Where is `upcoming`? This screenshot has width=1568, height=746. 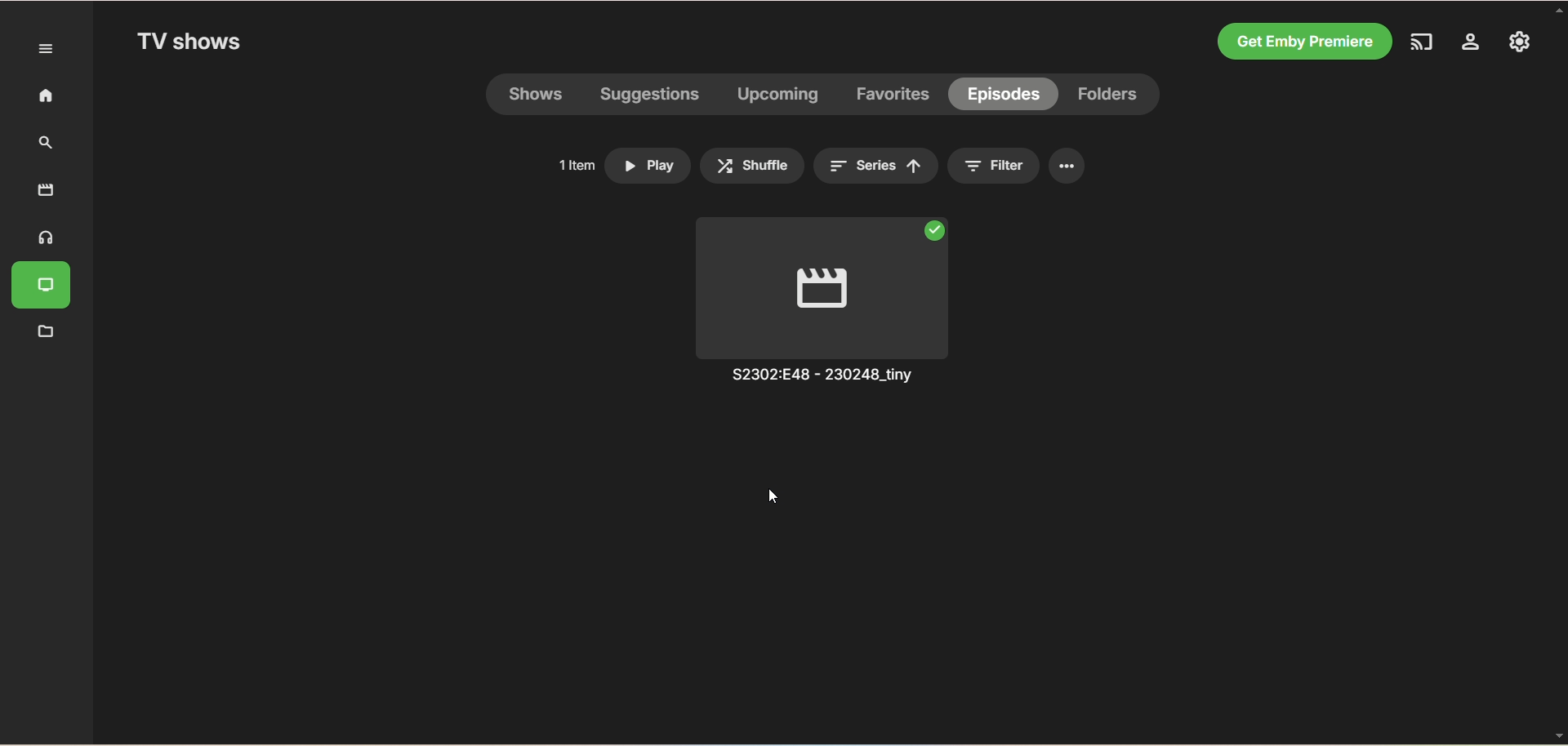
upcoming is located at coordinates (776, 96).